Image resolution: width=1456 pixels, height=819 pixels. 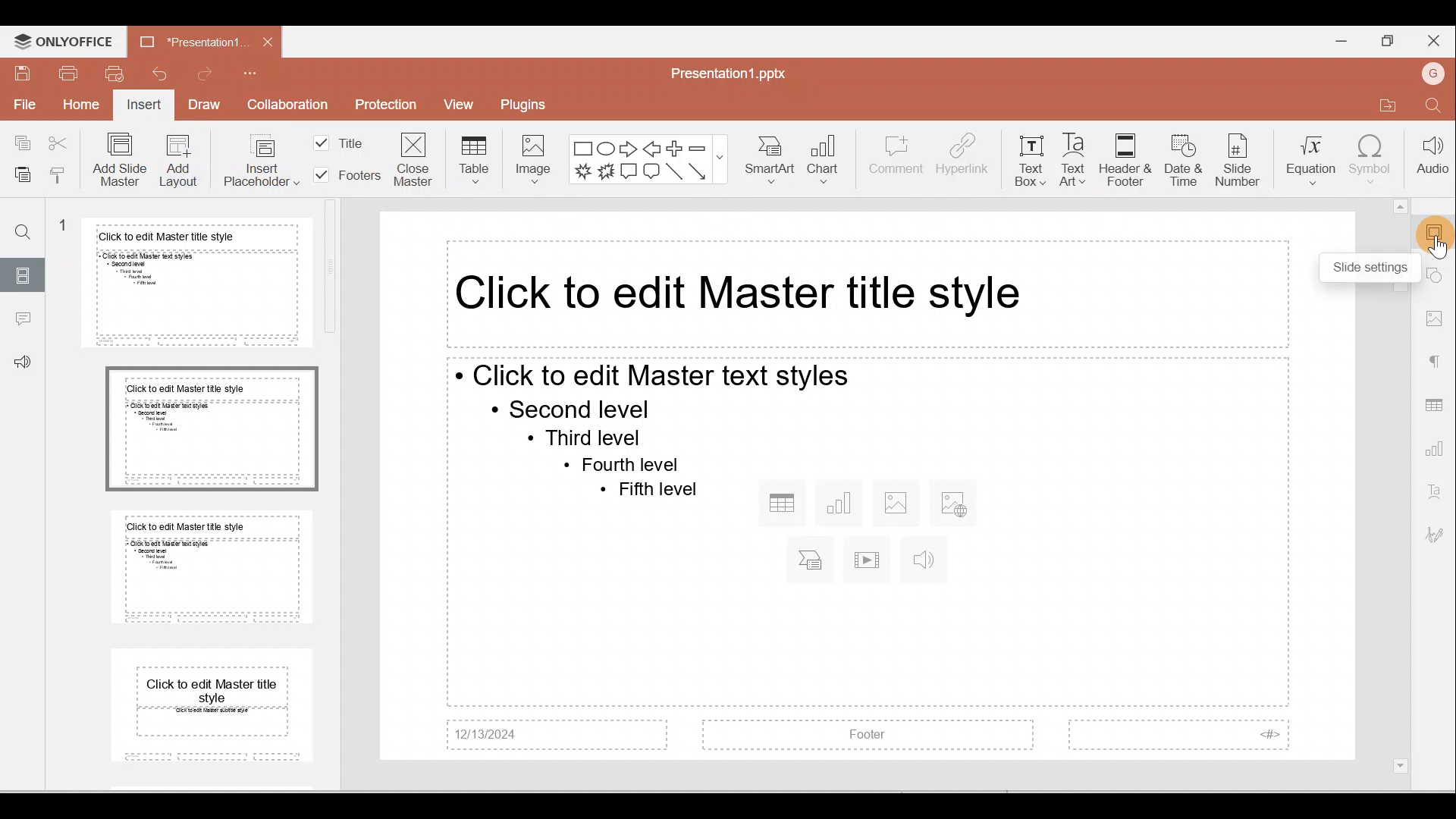 What do you see at coordinates (18, 172) in the screenshot?
I see `Paste` at bounding box center [18, 172].